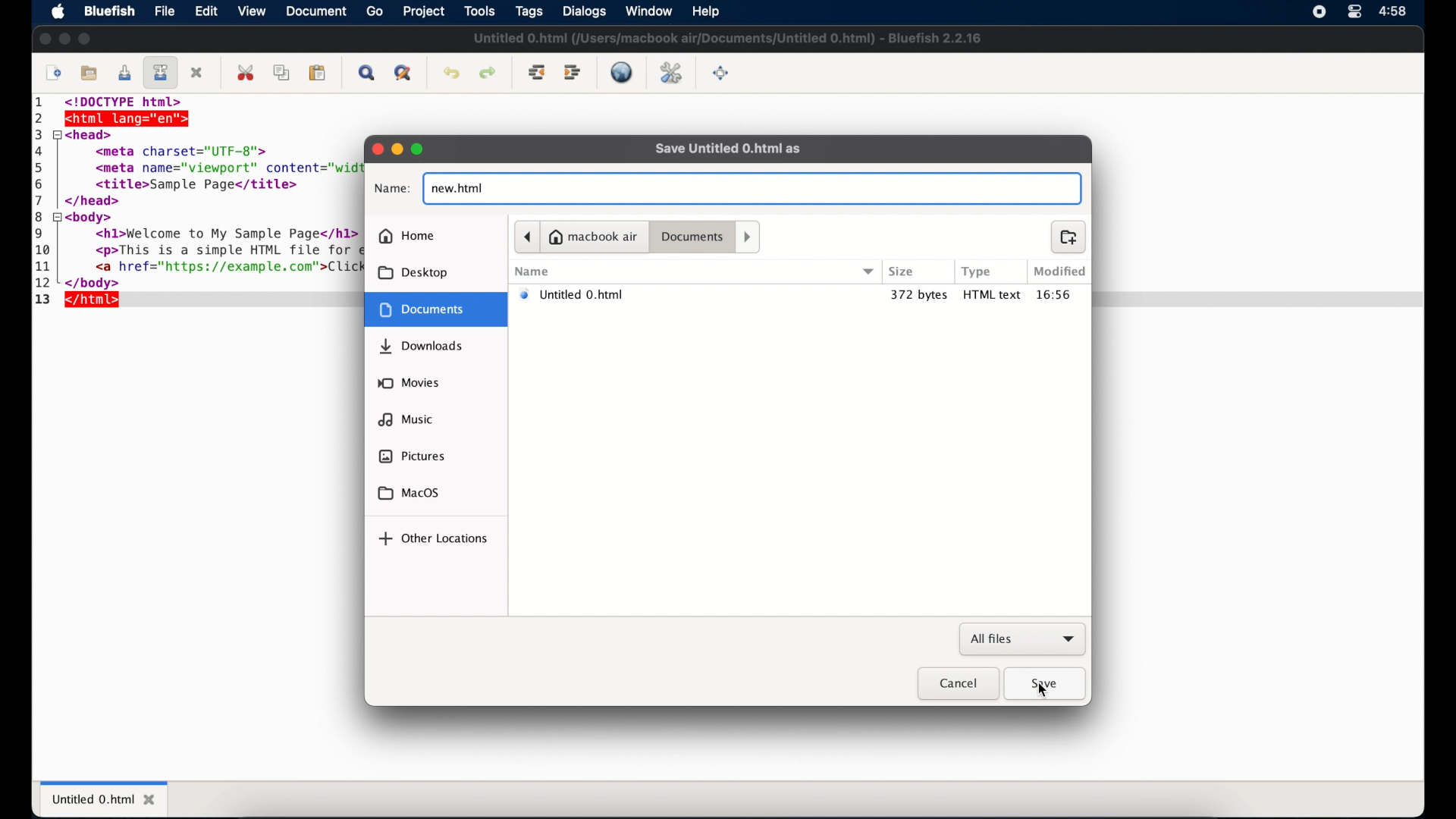 Image resolution: width=1456 pixels, height=819 pixels. What do you see at coordinates (136, 101) in the screenshot?
I see `<!DOCTYPE html>` at bounding box center [136, 101].